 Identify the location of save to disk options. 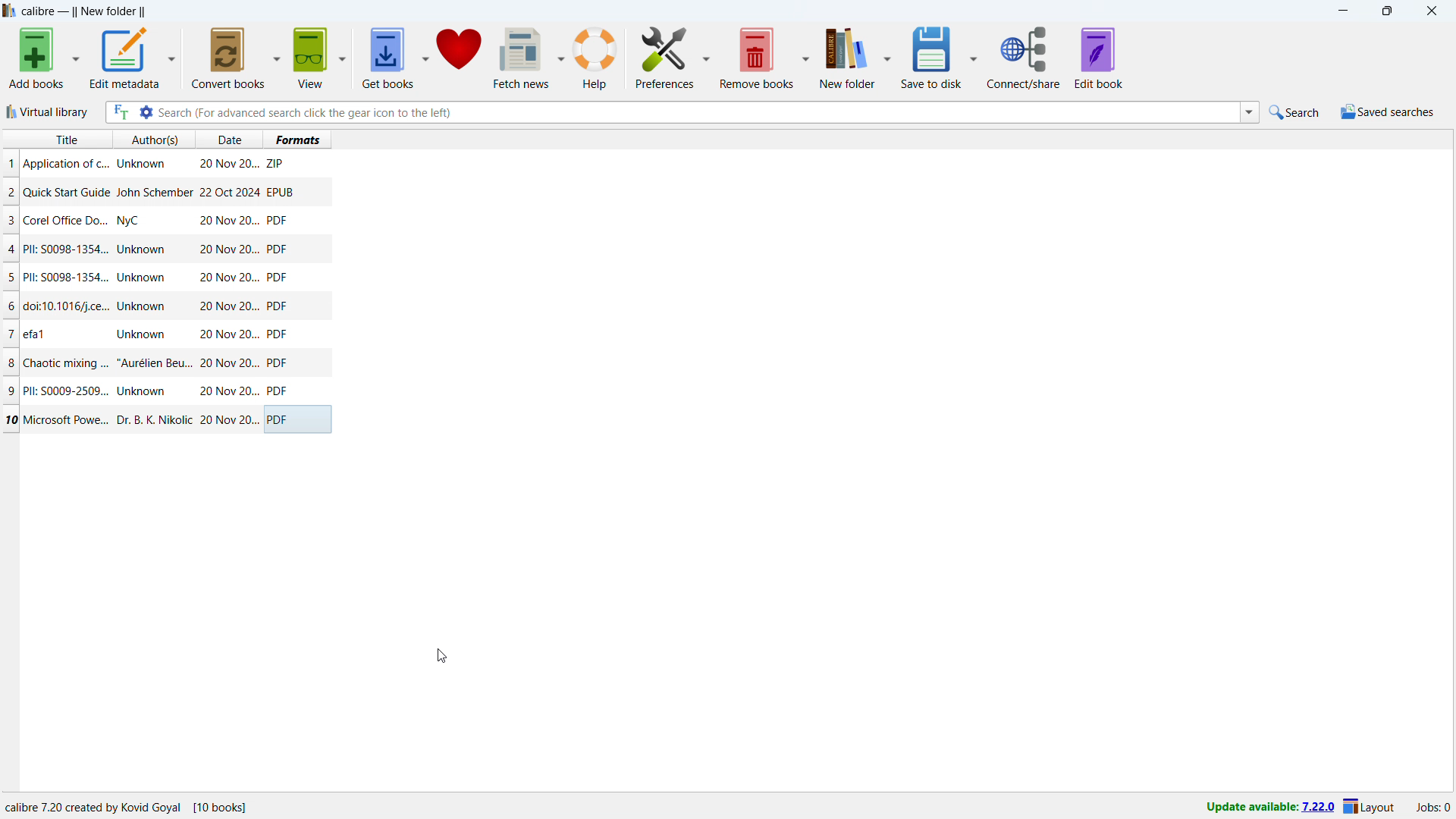
(975, 57).